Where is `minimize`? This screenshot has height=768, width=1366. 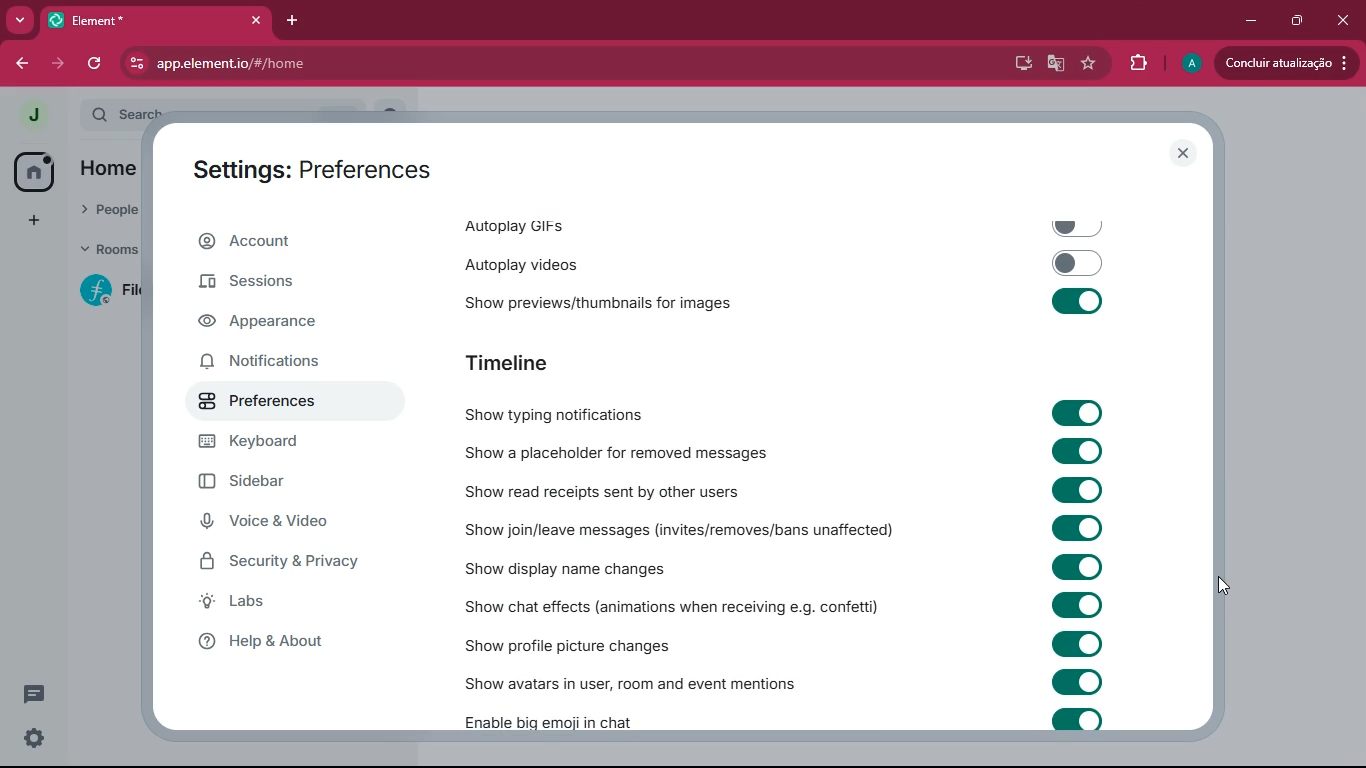 minimize is located at coordinates (1251, 21).